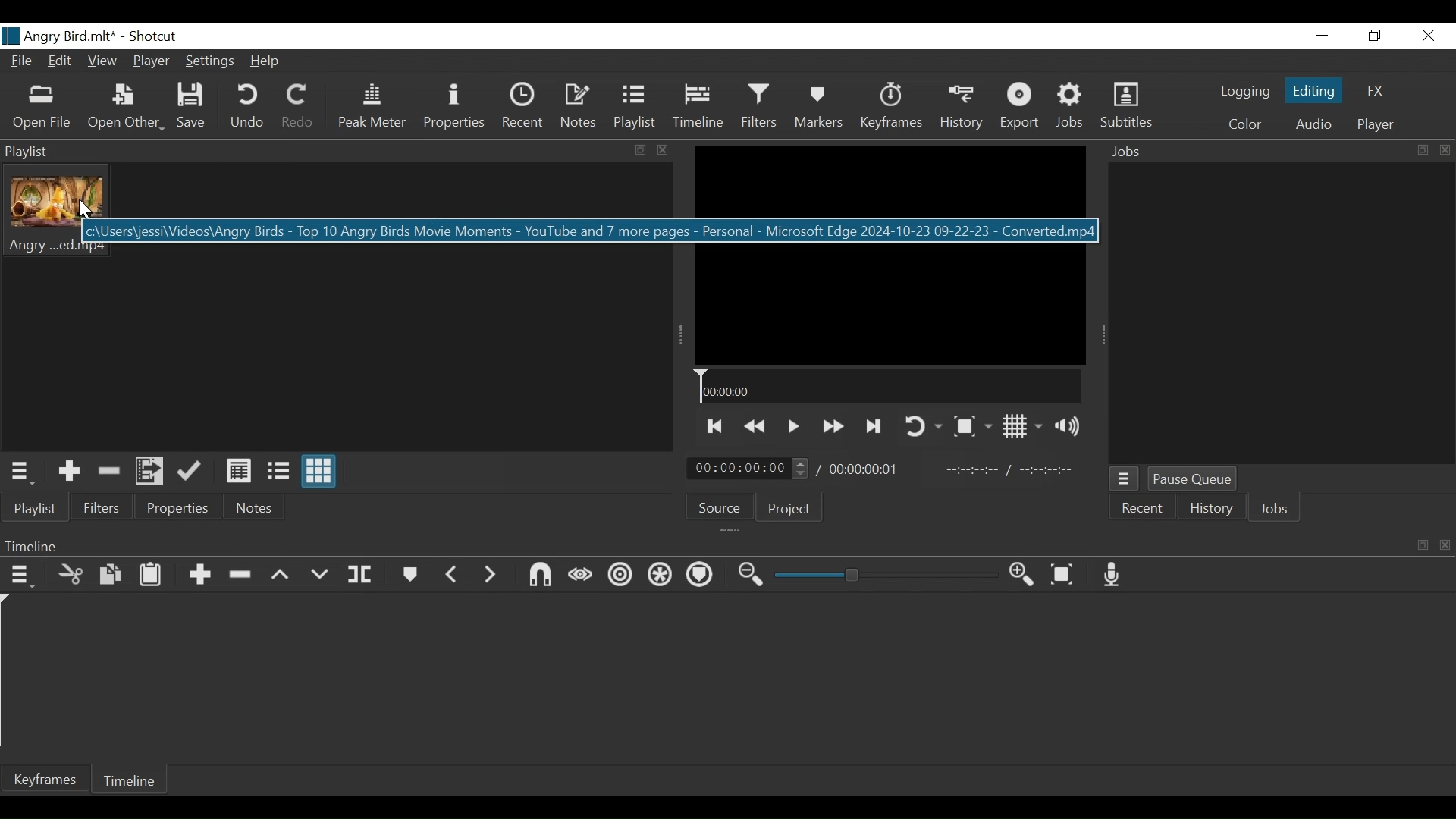 The width and height of the screenshot is (1456, 819). I want to click on Ripple all tracks, so click(658, 576).